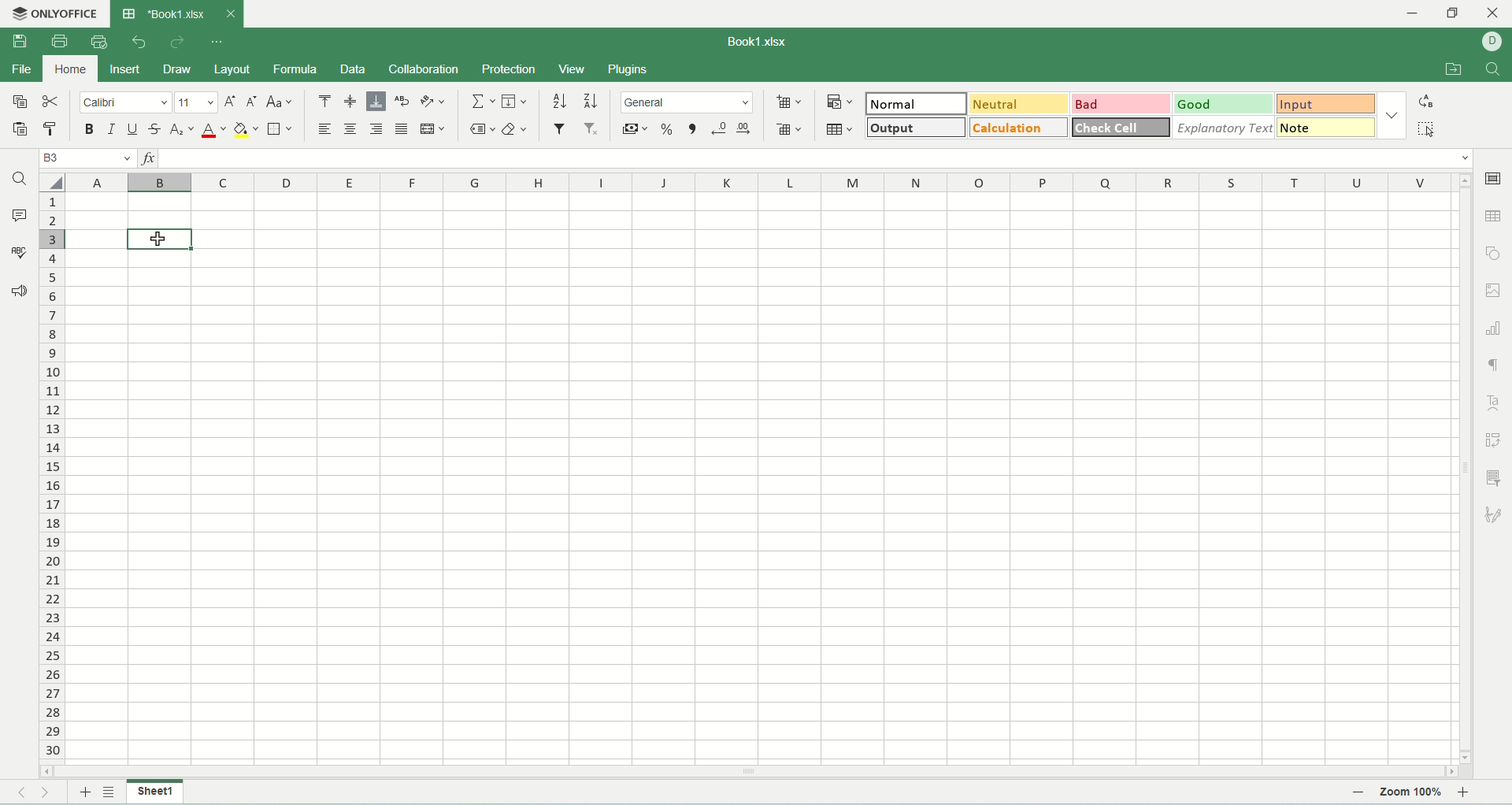  Describe the element at coordinates (86, 159) in the screenshot. I see `cell position` at that location.